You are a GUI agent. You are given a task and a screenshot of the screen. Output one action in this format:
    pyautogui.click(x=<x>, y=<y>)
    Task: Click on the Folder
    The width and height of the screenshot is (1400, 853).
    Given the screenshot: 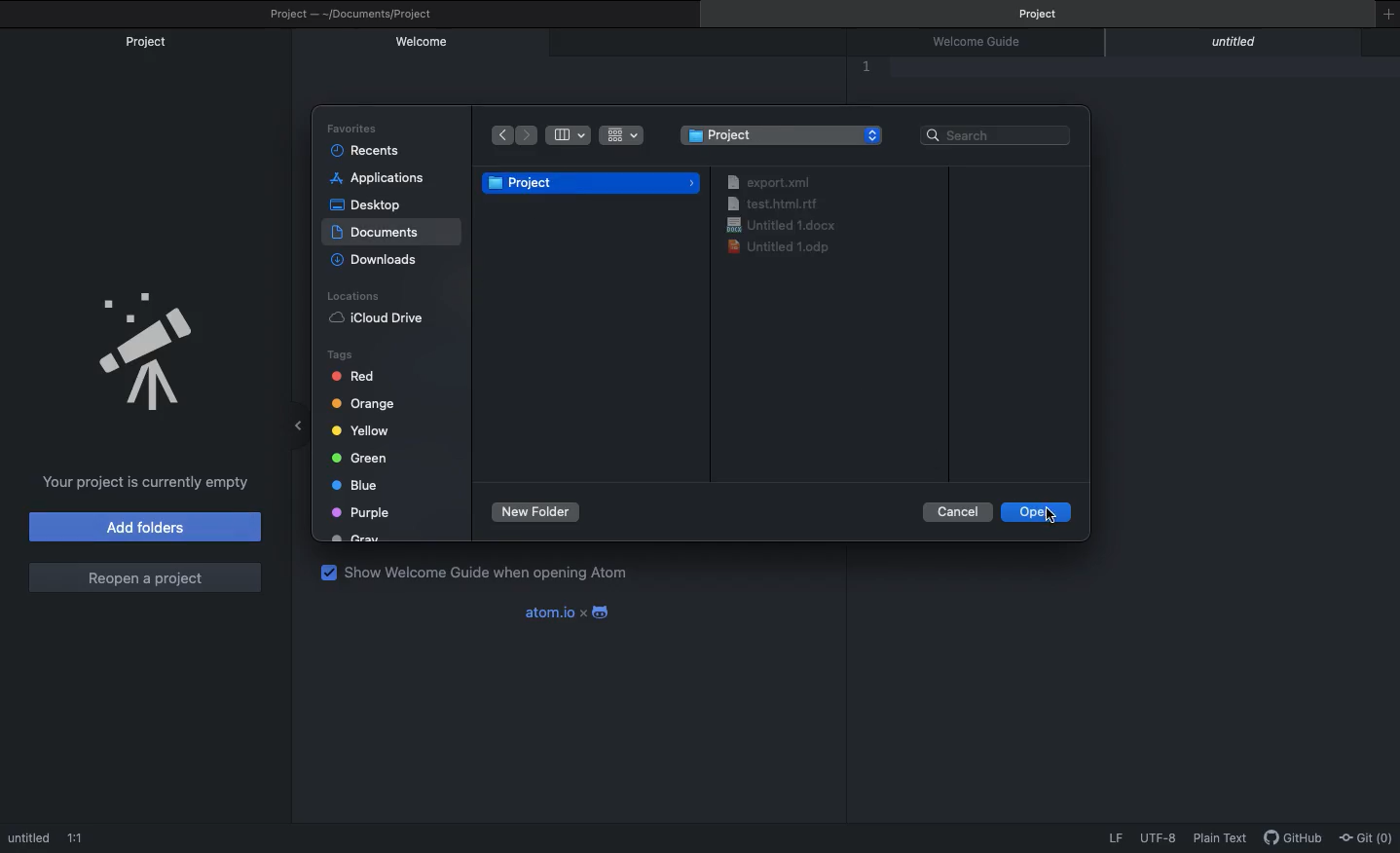 What is the action you would take?
    pyautogui.click(x=786, y=134)
    